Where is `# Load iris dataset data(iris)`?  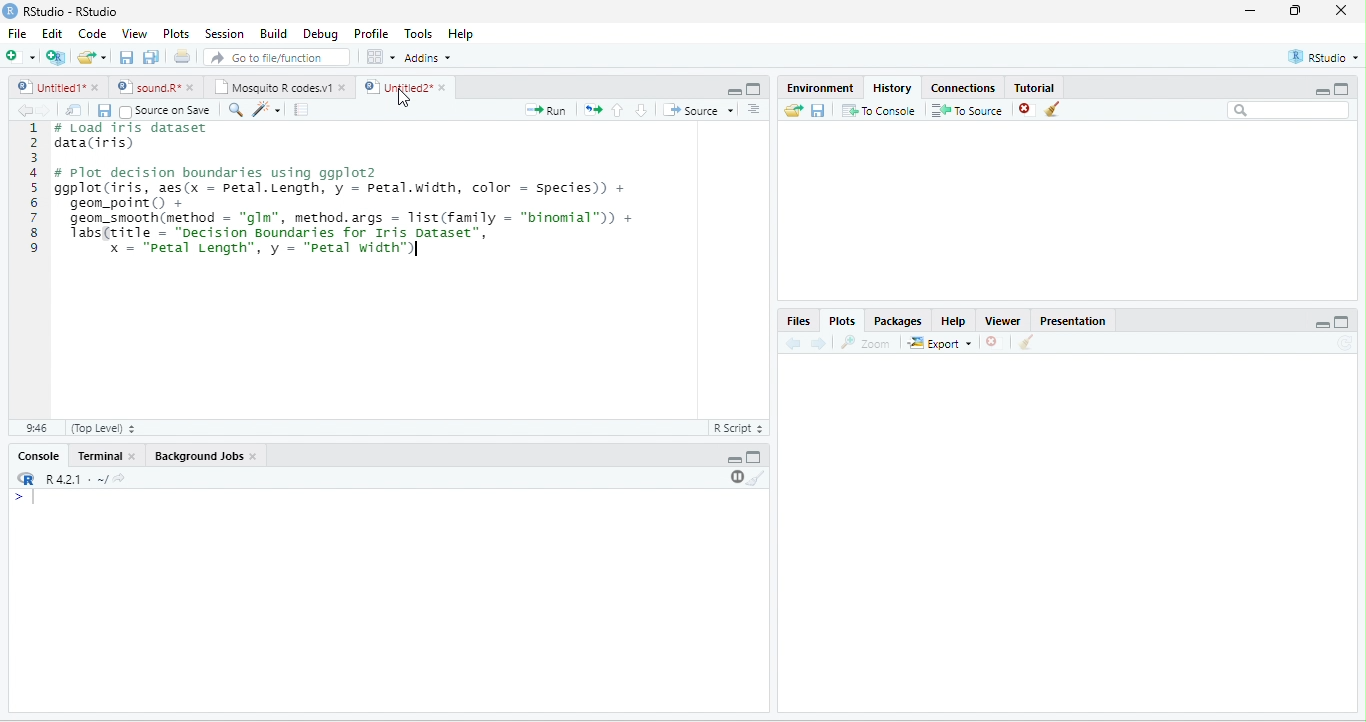 # Load iris dataset data(iris) is located at coordinates (129, 139).